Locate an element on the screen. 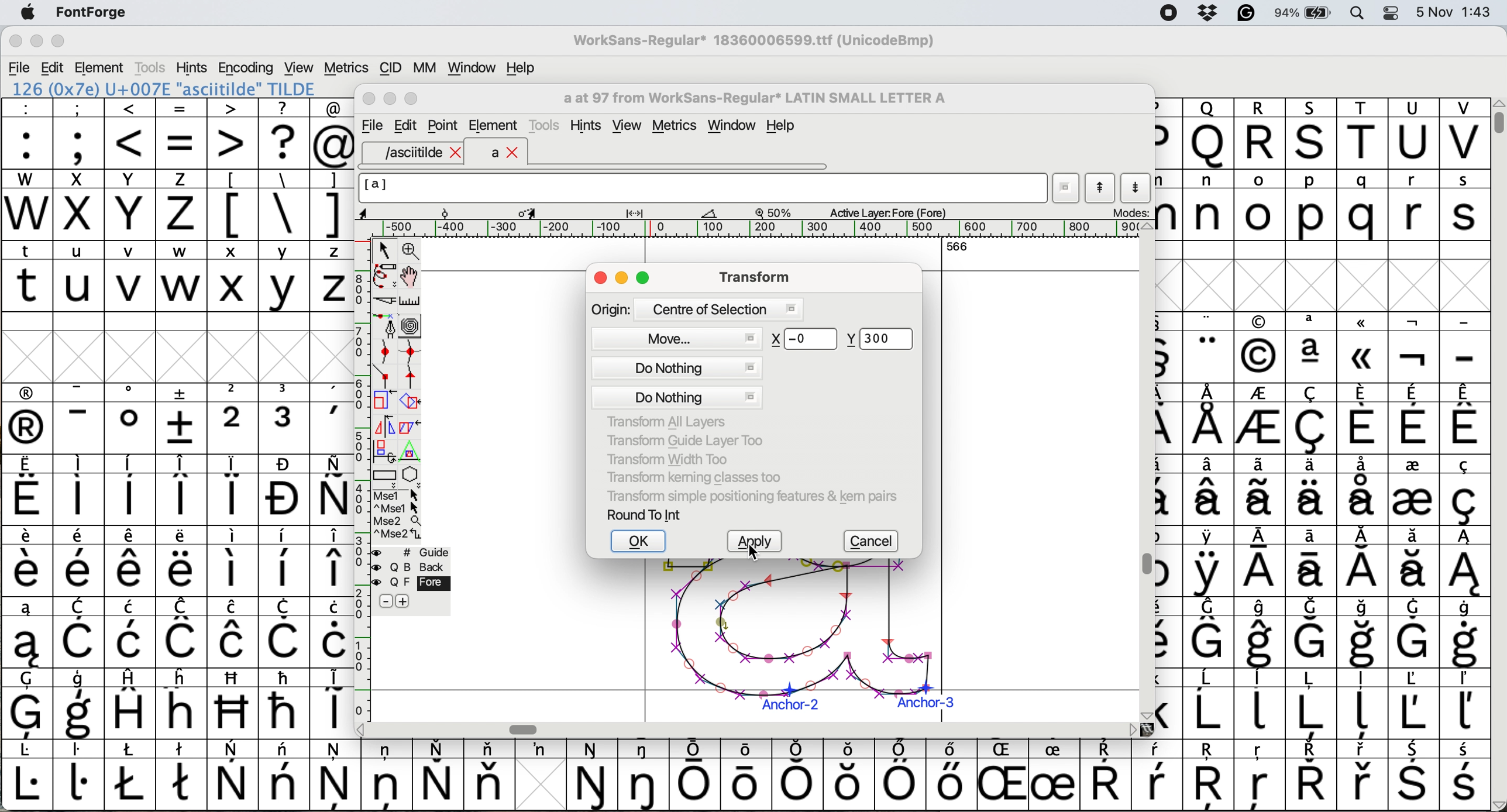  asciitilde is located at coordinates (421, 153).